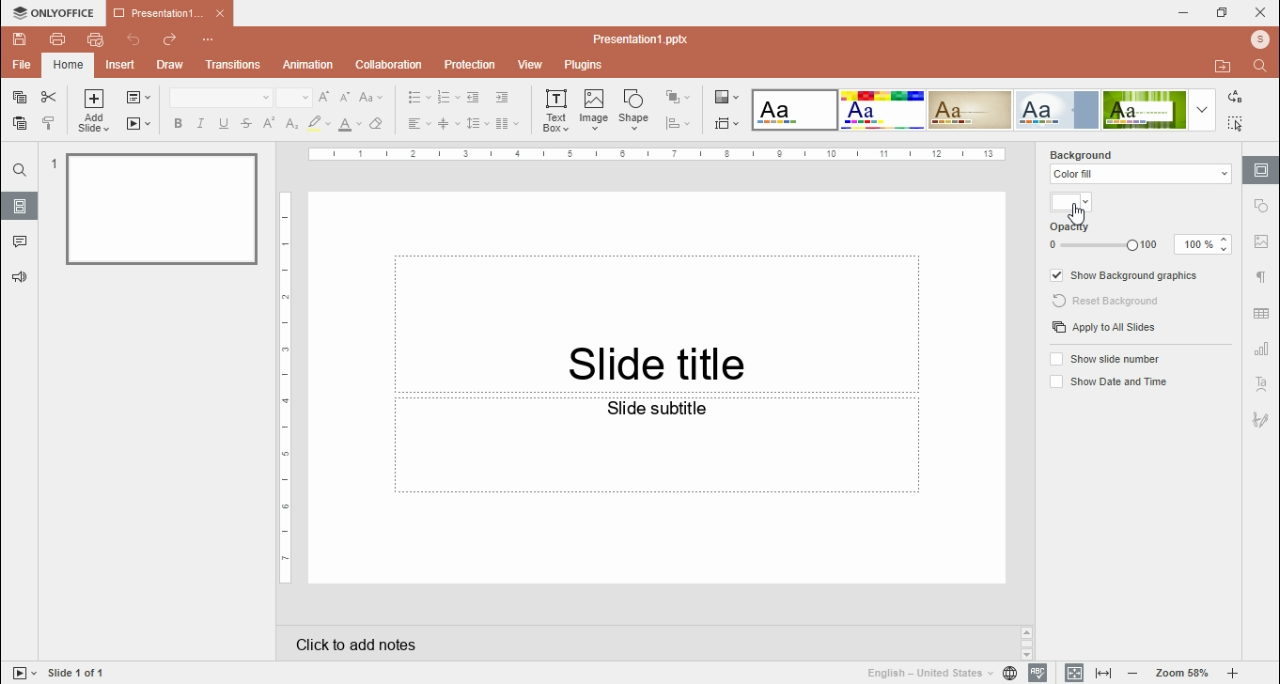  Describe the element at coordinates (95, 39) in the screenshot. I see `quick print` at that location.